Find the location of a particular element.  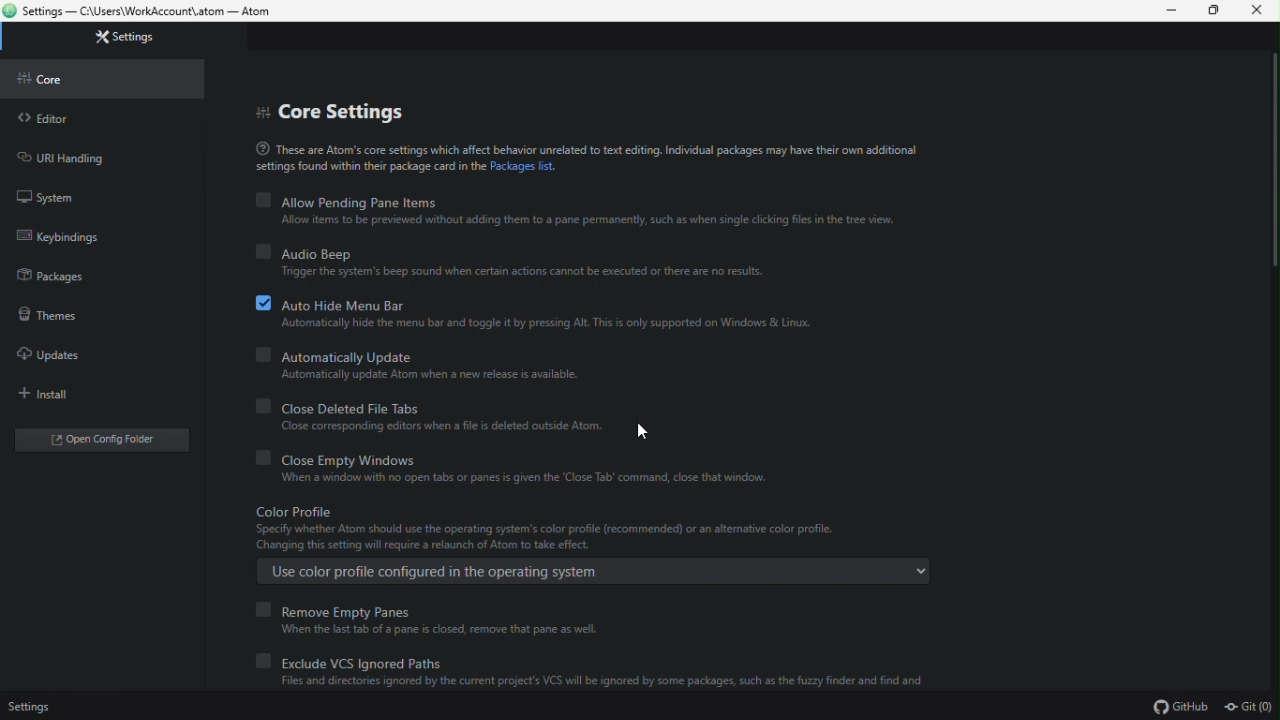

Allow Pending Pane Items is located at coordinates (349, 201).